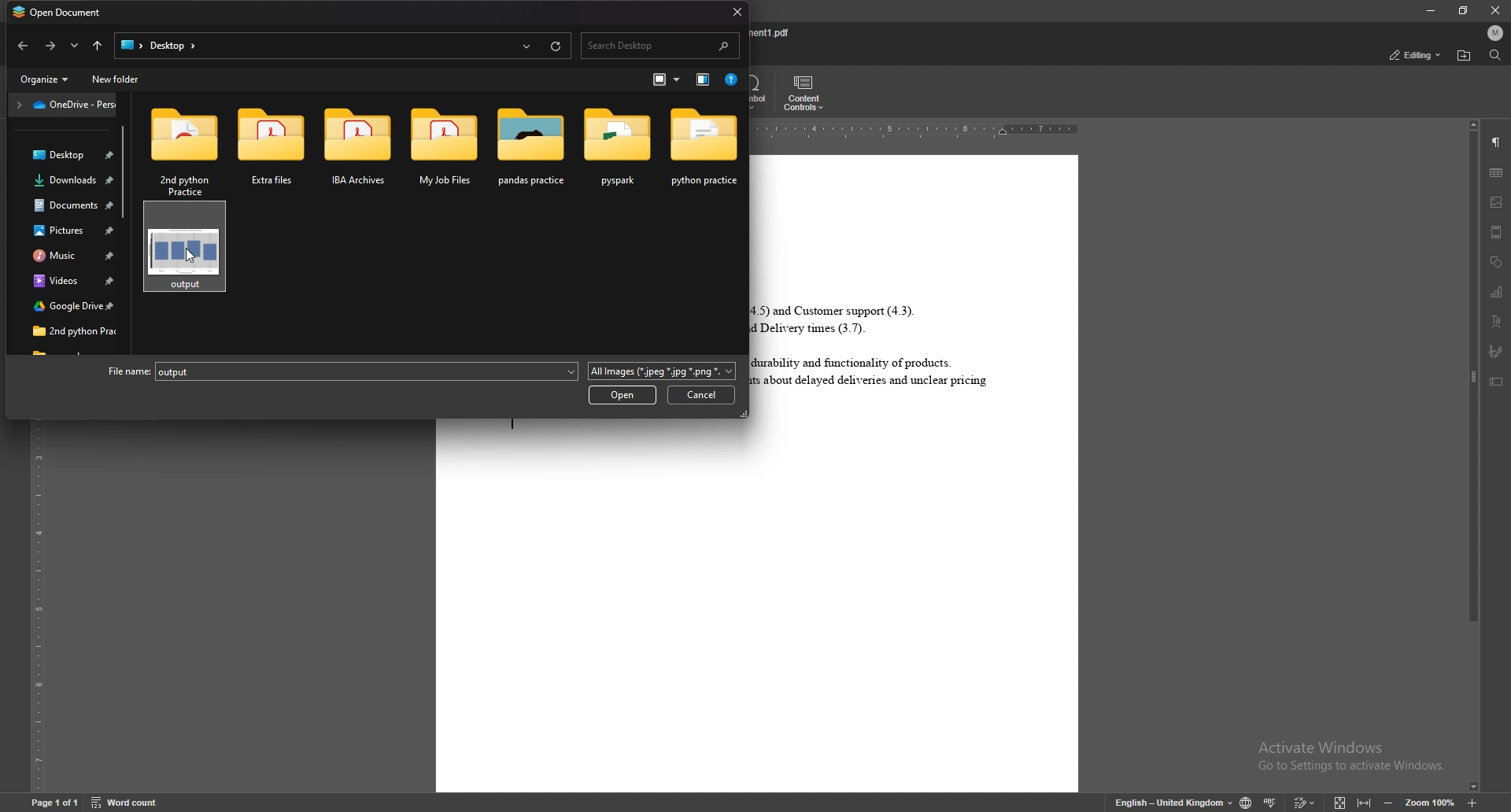  I want to click on find, so click(1495, 54).